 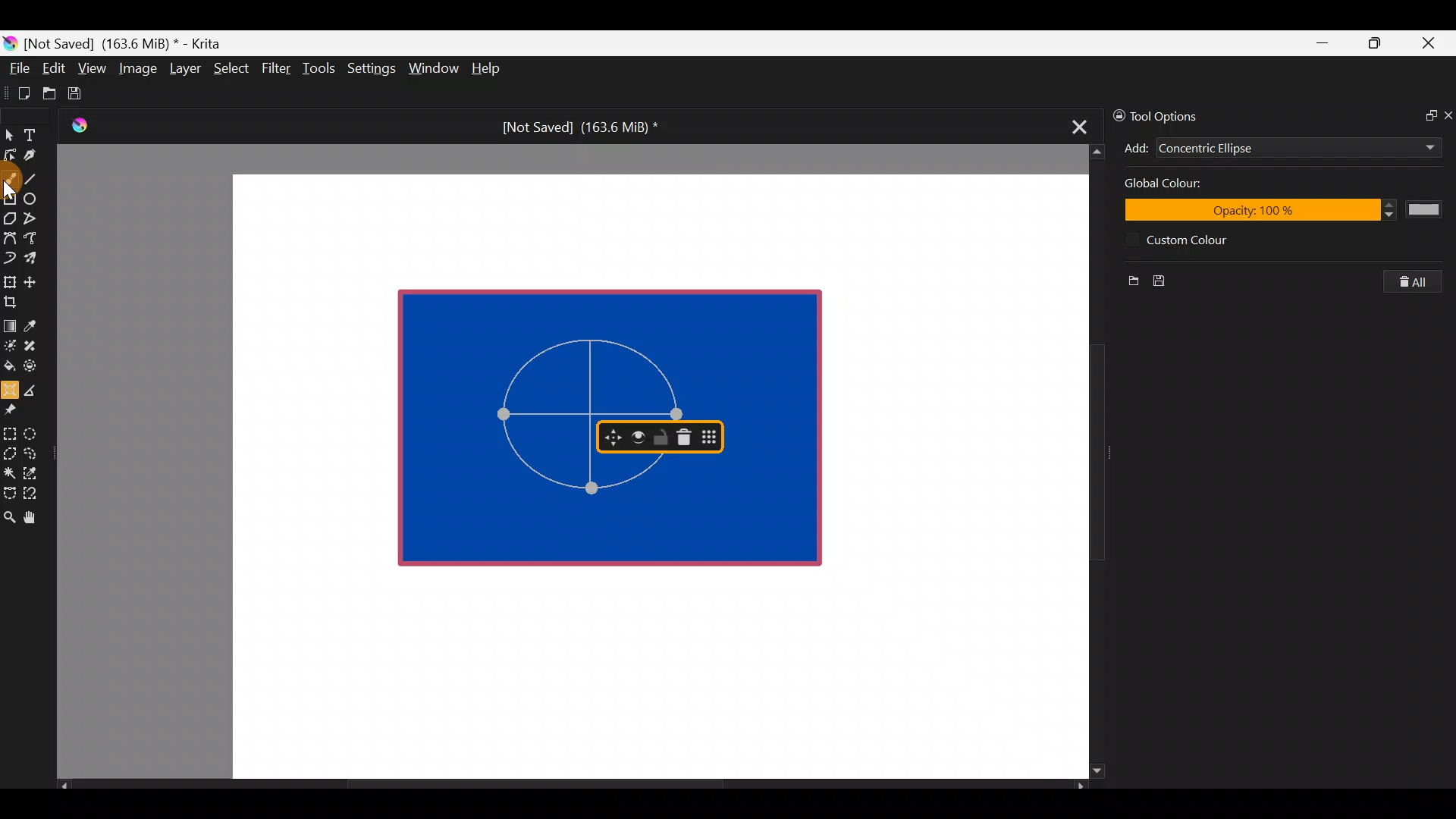 What do you see at coordinates (10, 200) in the screenshot?
I see `Rectangle tool` at bounding box center [10, 200].